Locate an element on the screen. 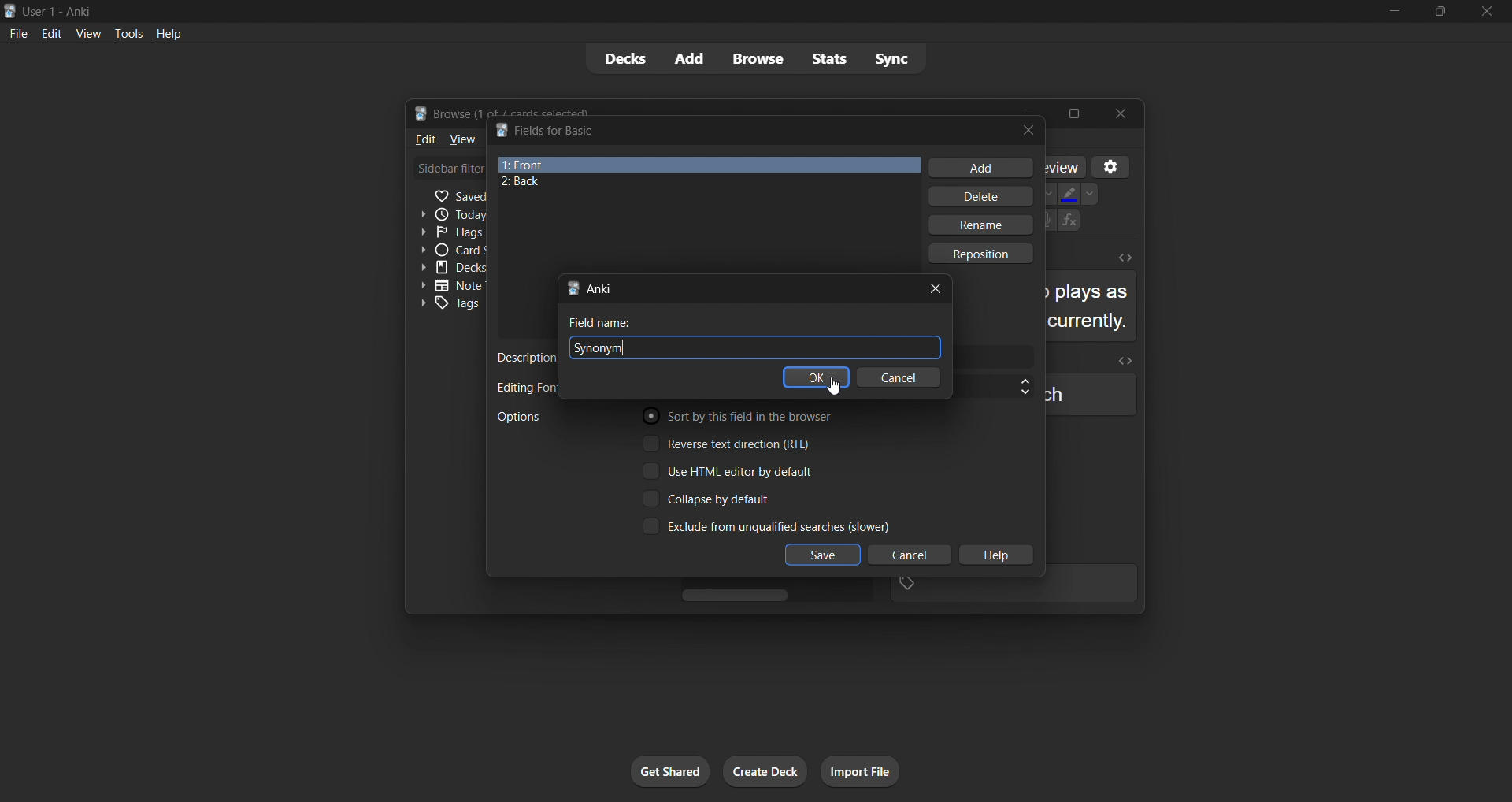 This screenshot has height=802, width=1512. Maximize is located at coordinates (1077, 112).